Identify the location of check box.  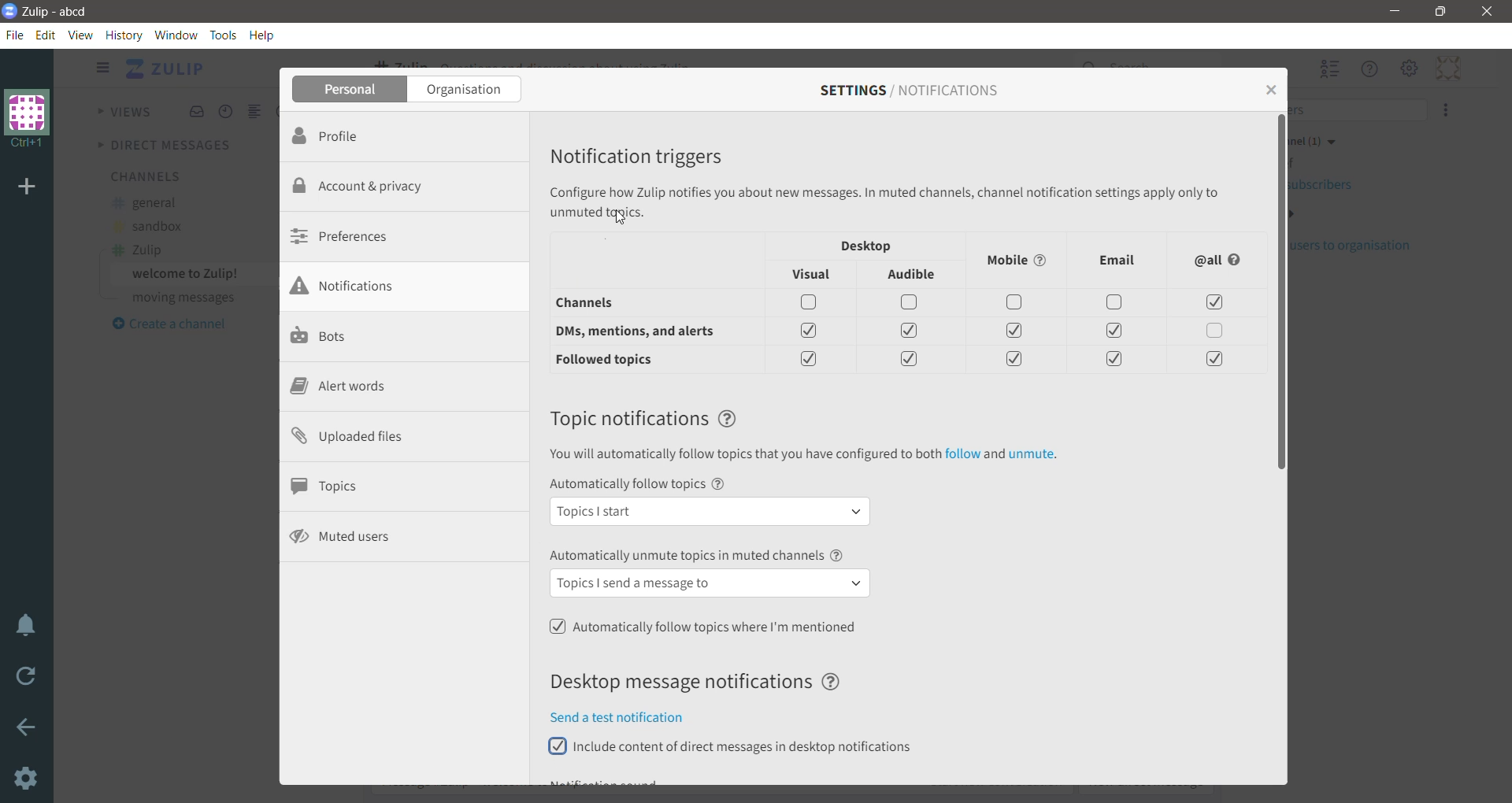
(1116, 302).